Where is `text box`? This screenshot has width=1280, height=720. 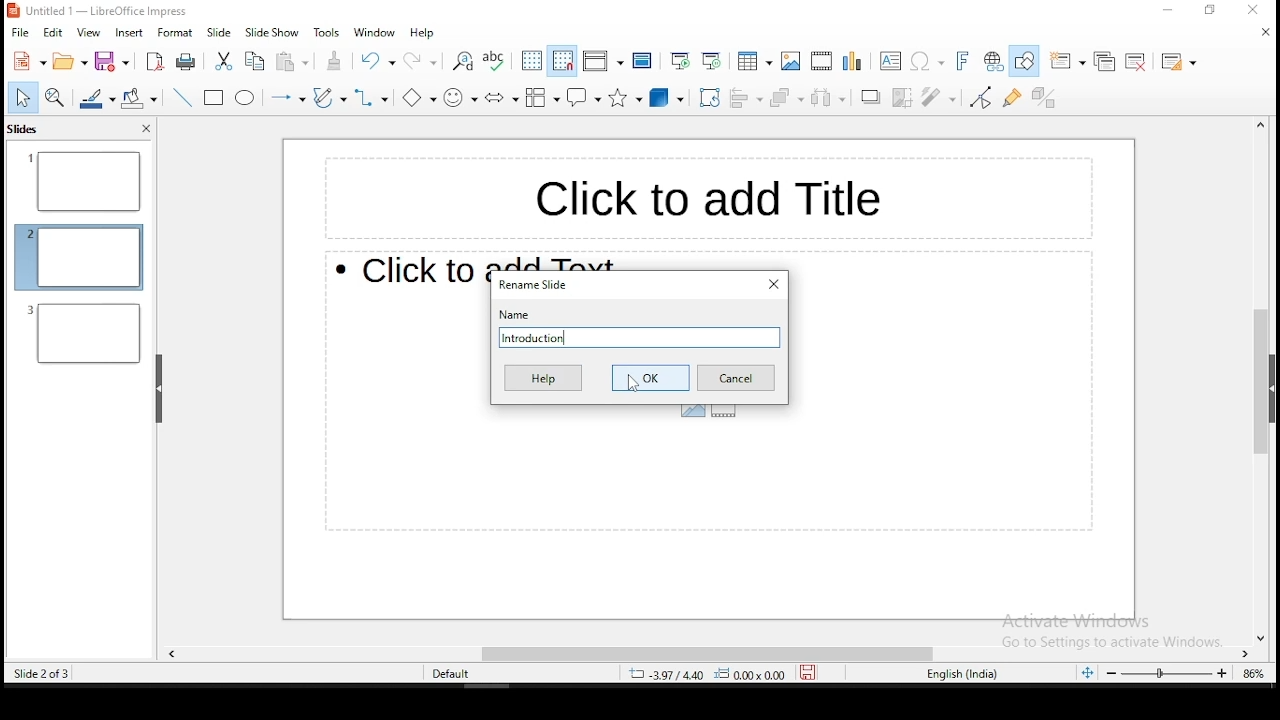
text box is located at coordinates (699, 194).